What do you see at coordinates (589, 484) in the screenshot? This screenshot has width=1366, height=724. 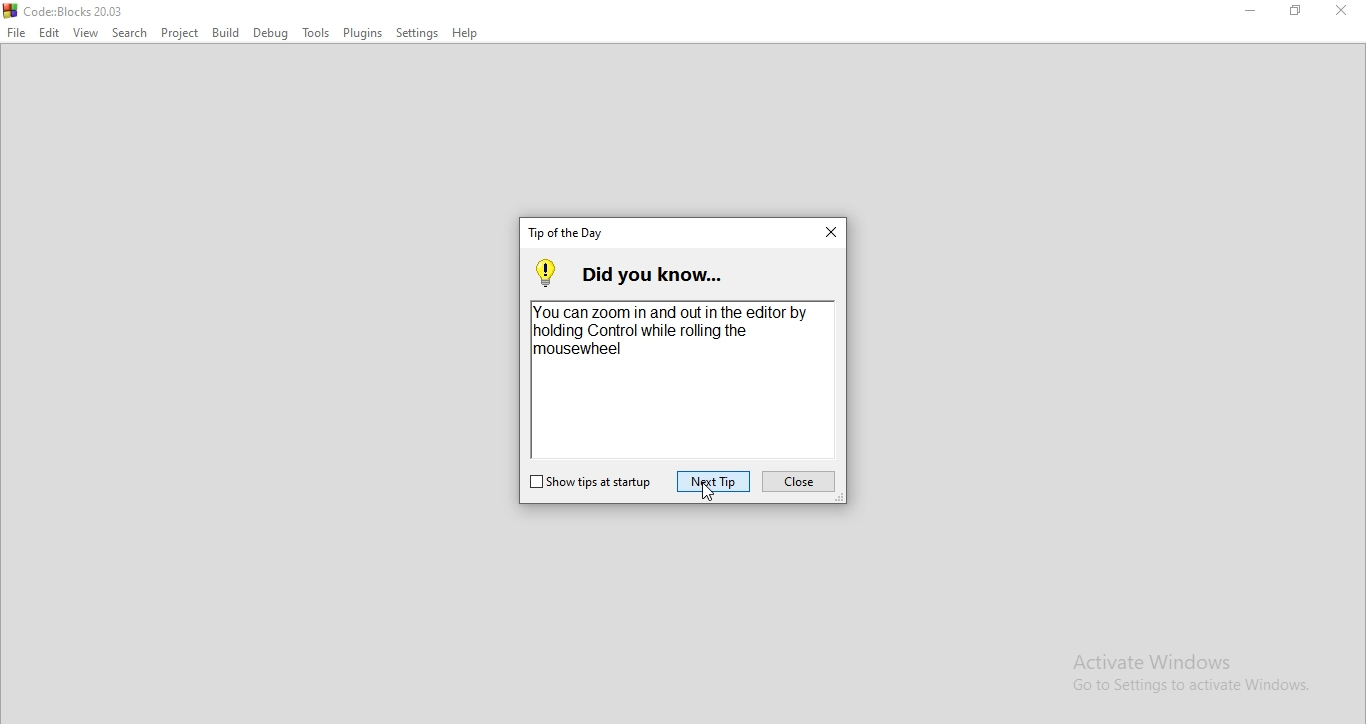 I see `show tips on startup` at bounding box center [589, 484].